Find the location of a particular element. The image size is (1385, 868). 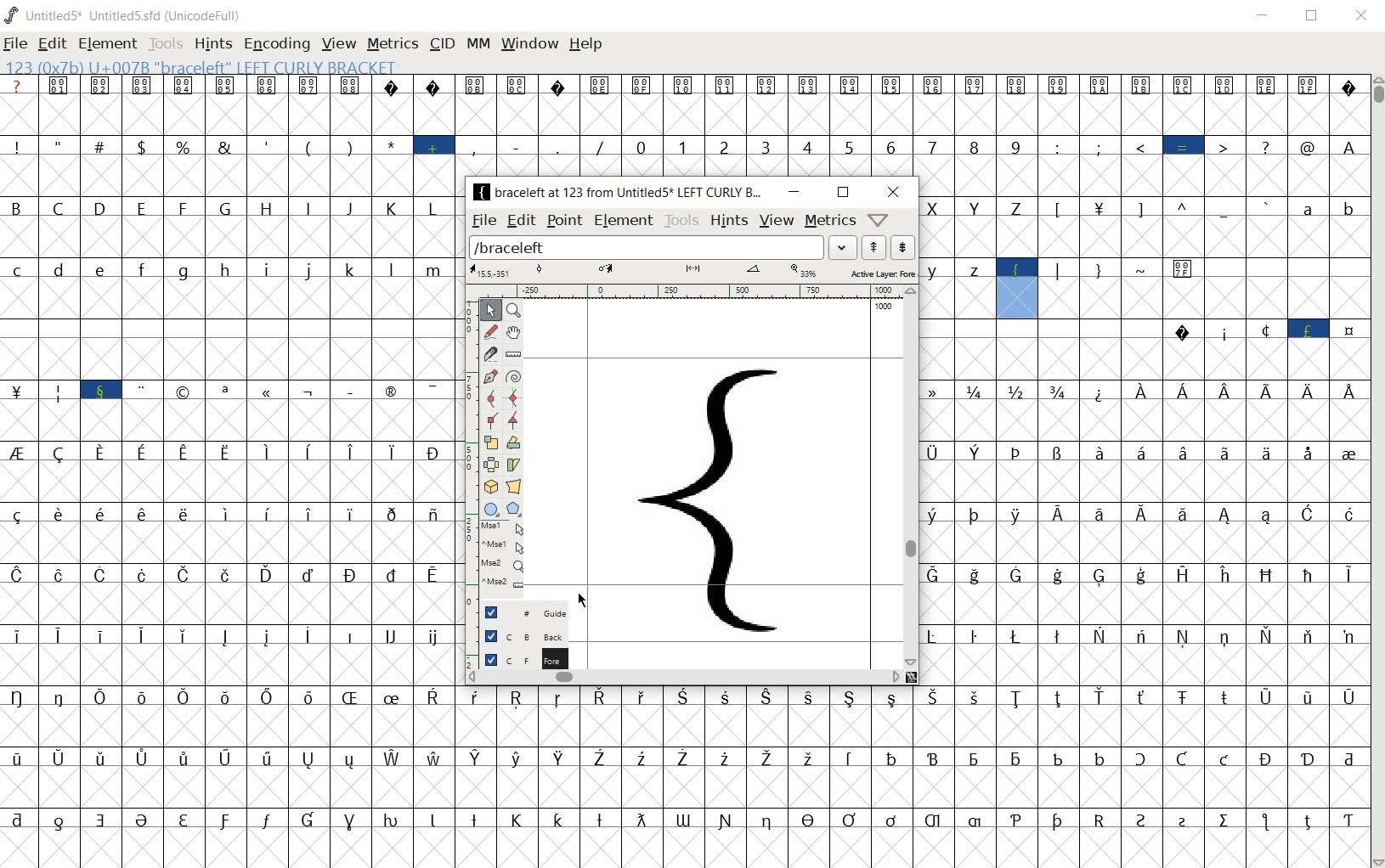

rotate the selection in 3D and project back to plane is located at coordinates (490, 488).